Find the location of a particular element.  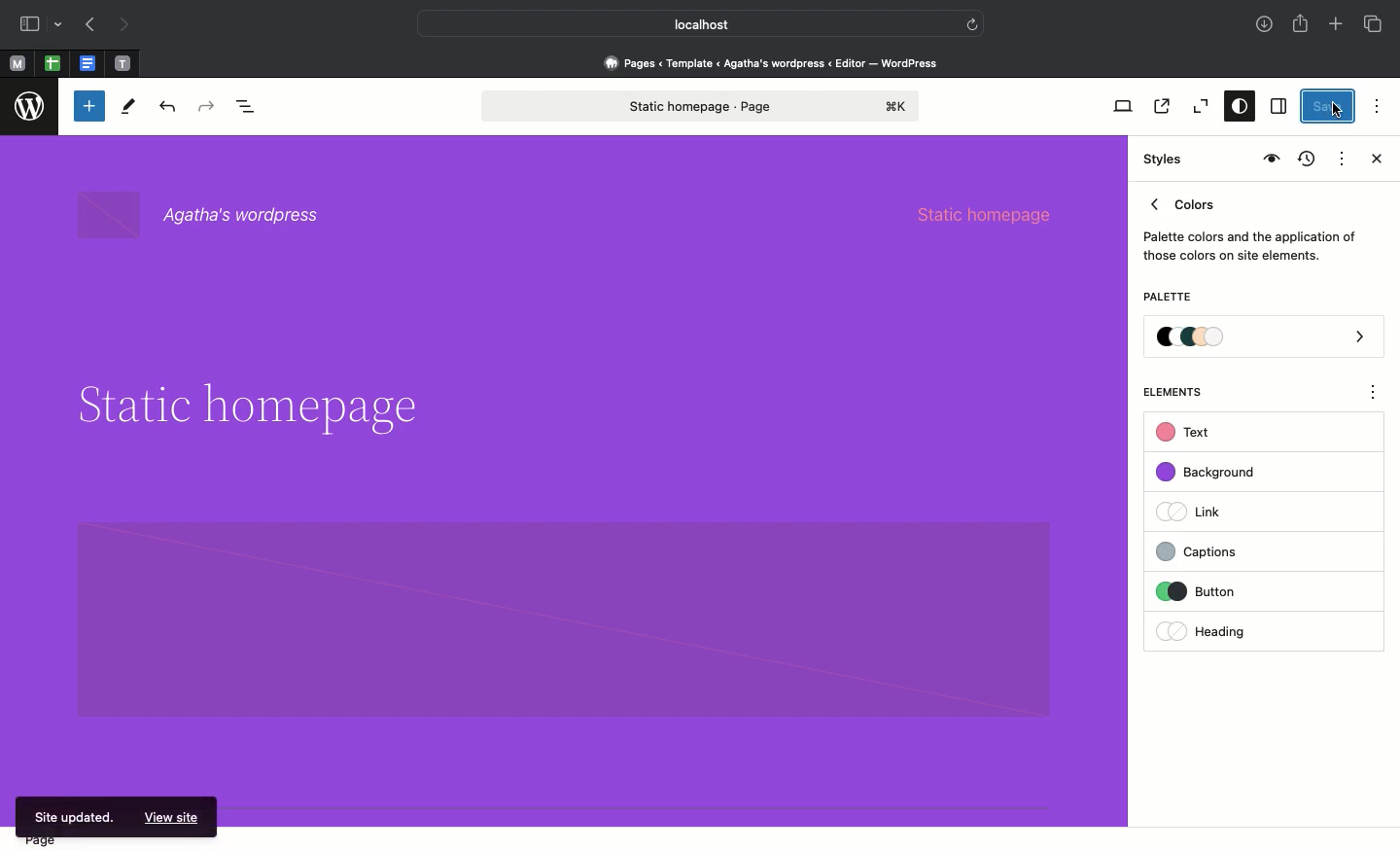

Tabs is located at coordinates (1375, 24).